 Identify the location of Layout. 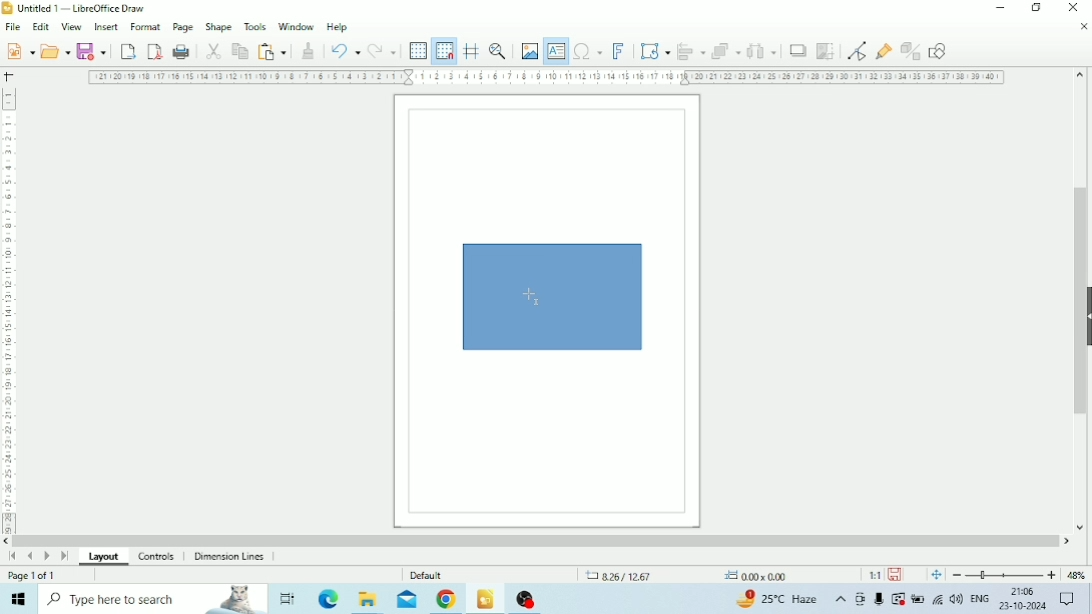
(104, 558).